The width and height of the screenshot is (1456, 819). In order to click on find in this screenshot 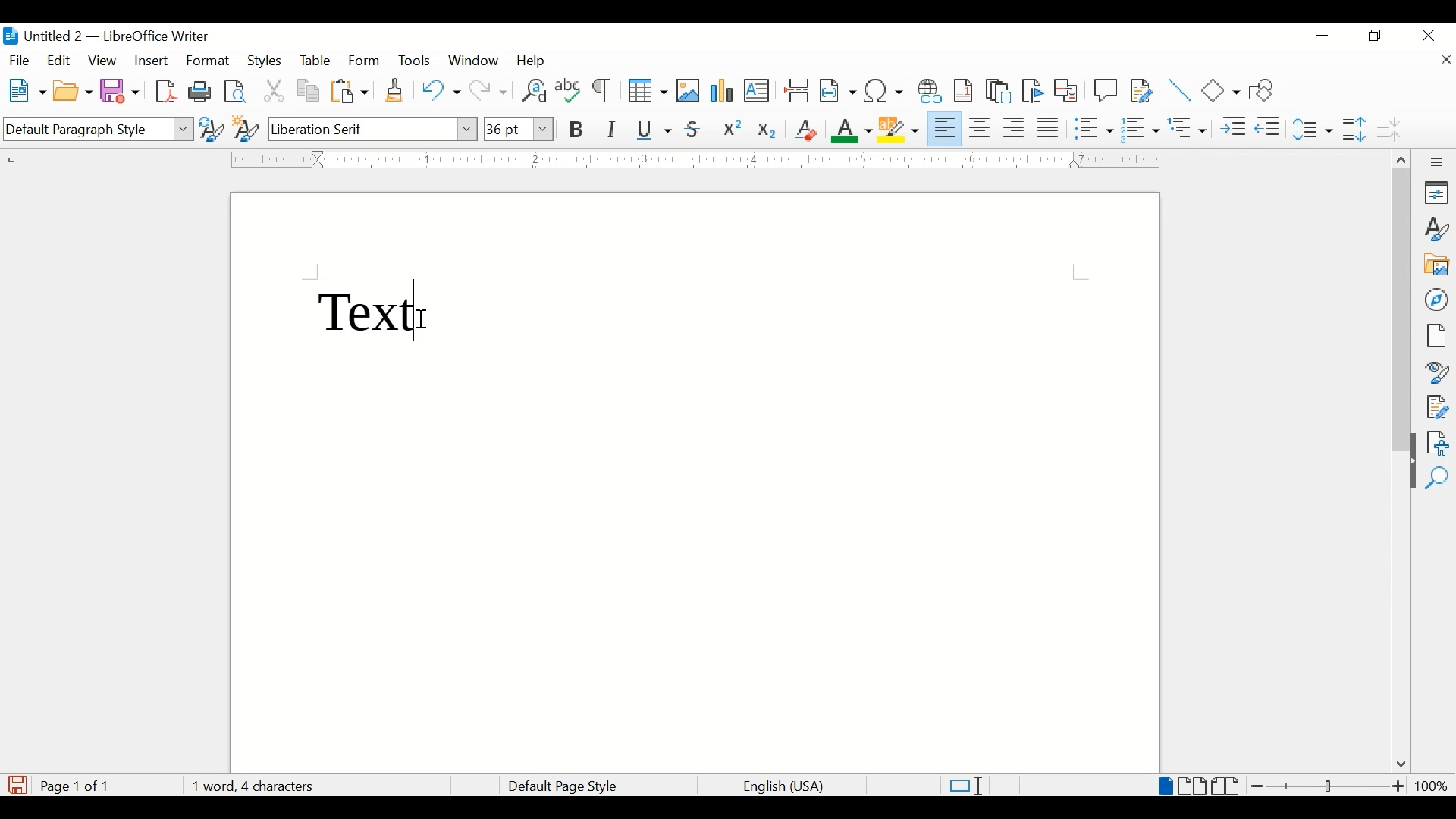, I will do `click(1437, 479)`.